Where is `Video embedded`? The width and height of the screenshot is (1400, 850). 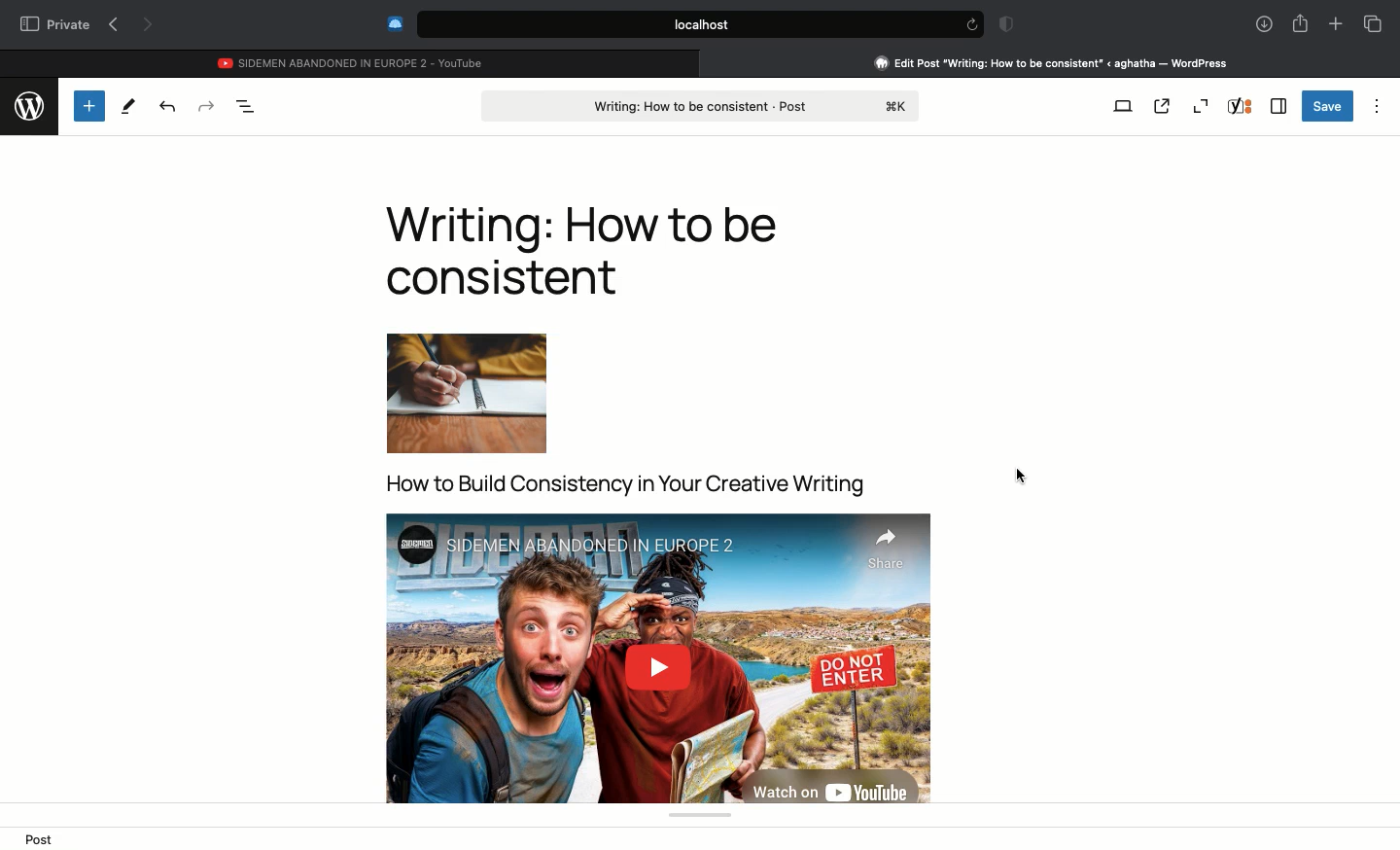
Video embedded is located at coordinates (655, 654).